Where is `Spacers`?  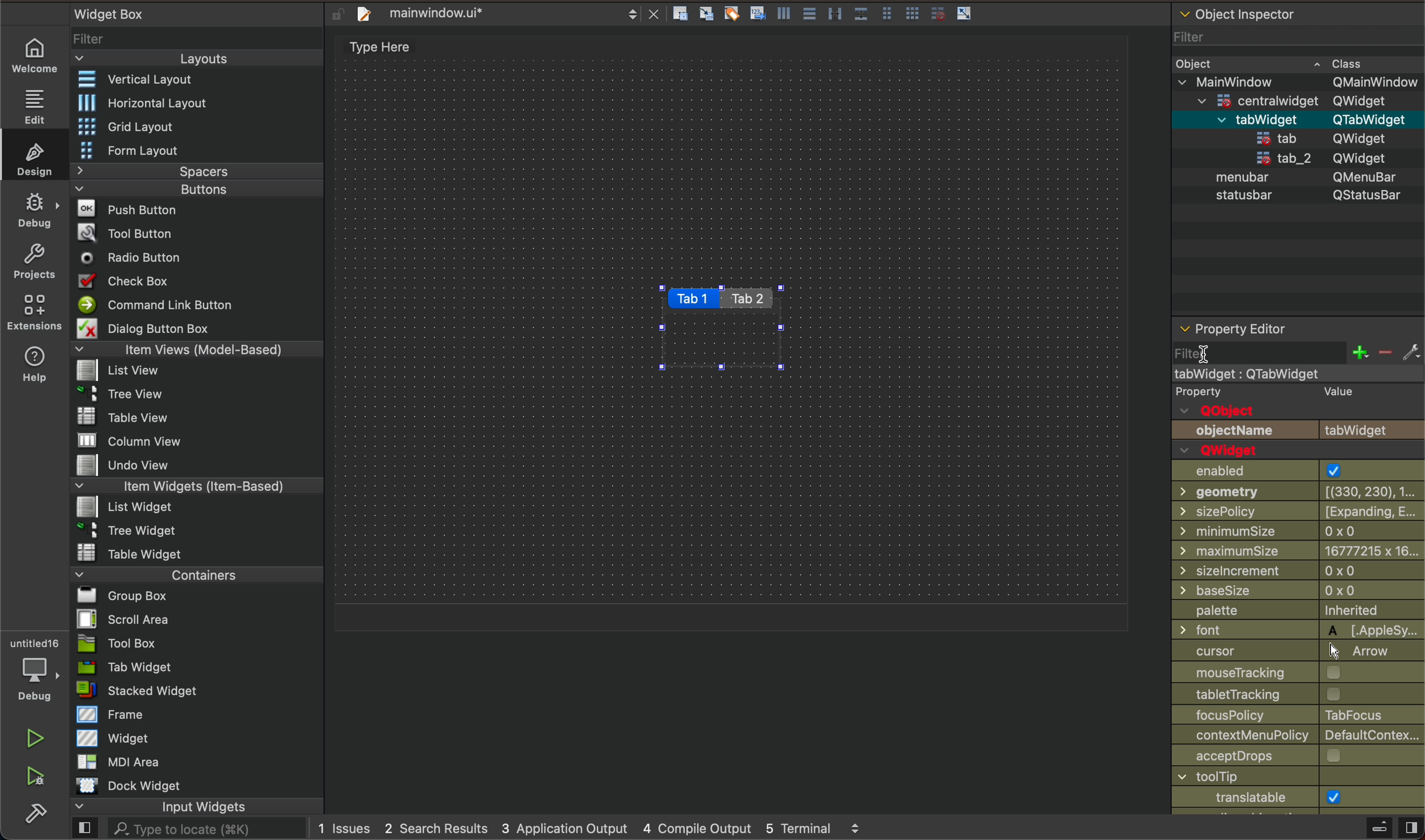 Spacers is located at coordinates (198, 172).